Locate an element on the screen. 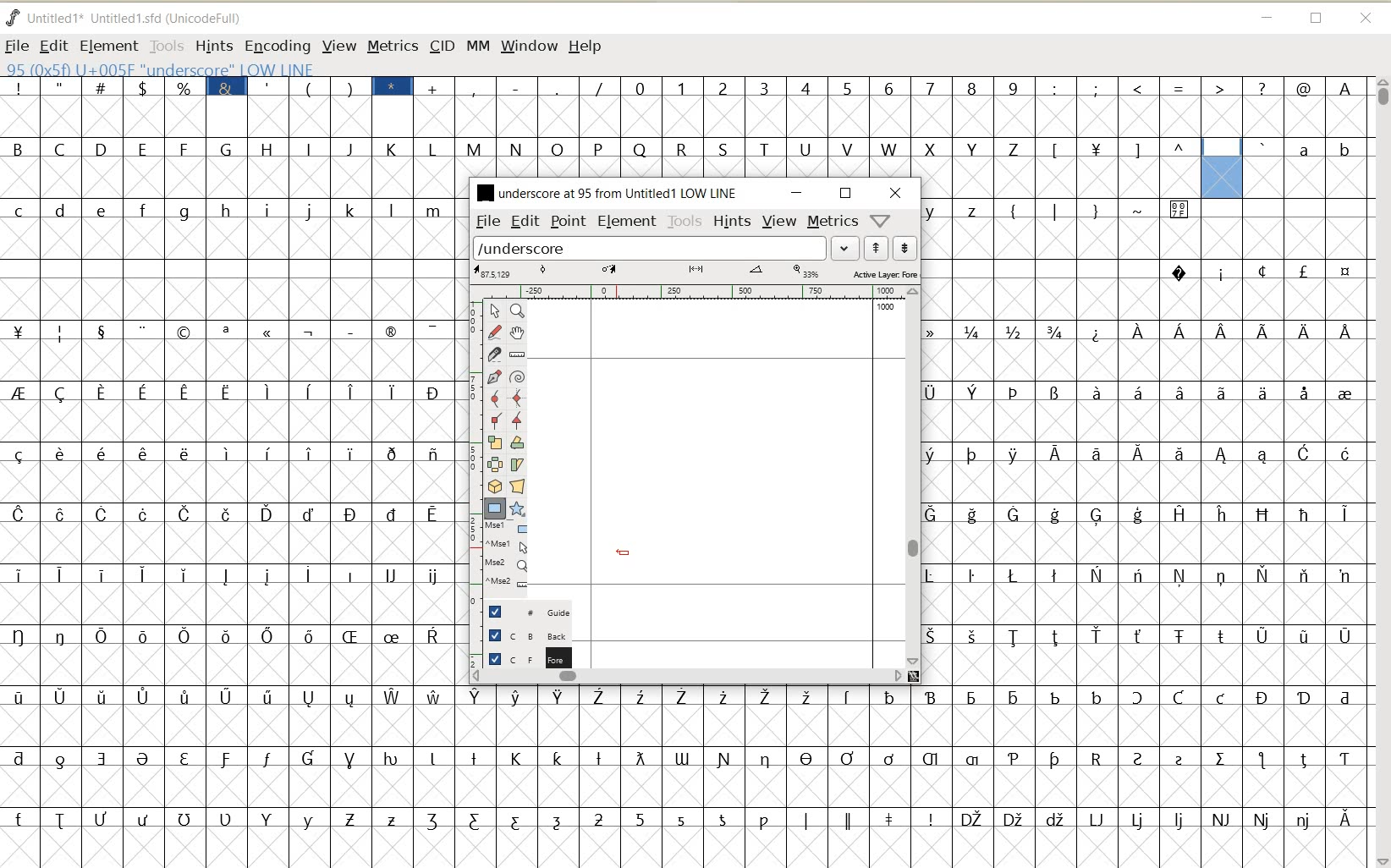 This screenshot has height=868, width=1391. MINIMIZE is located at coordinates (1266, 15).